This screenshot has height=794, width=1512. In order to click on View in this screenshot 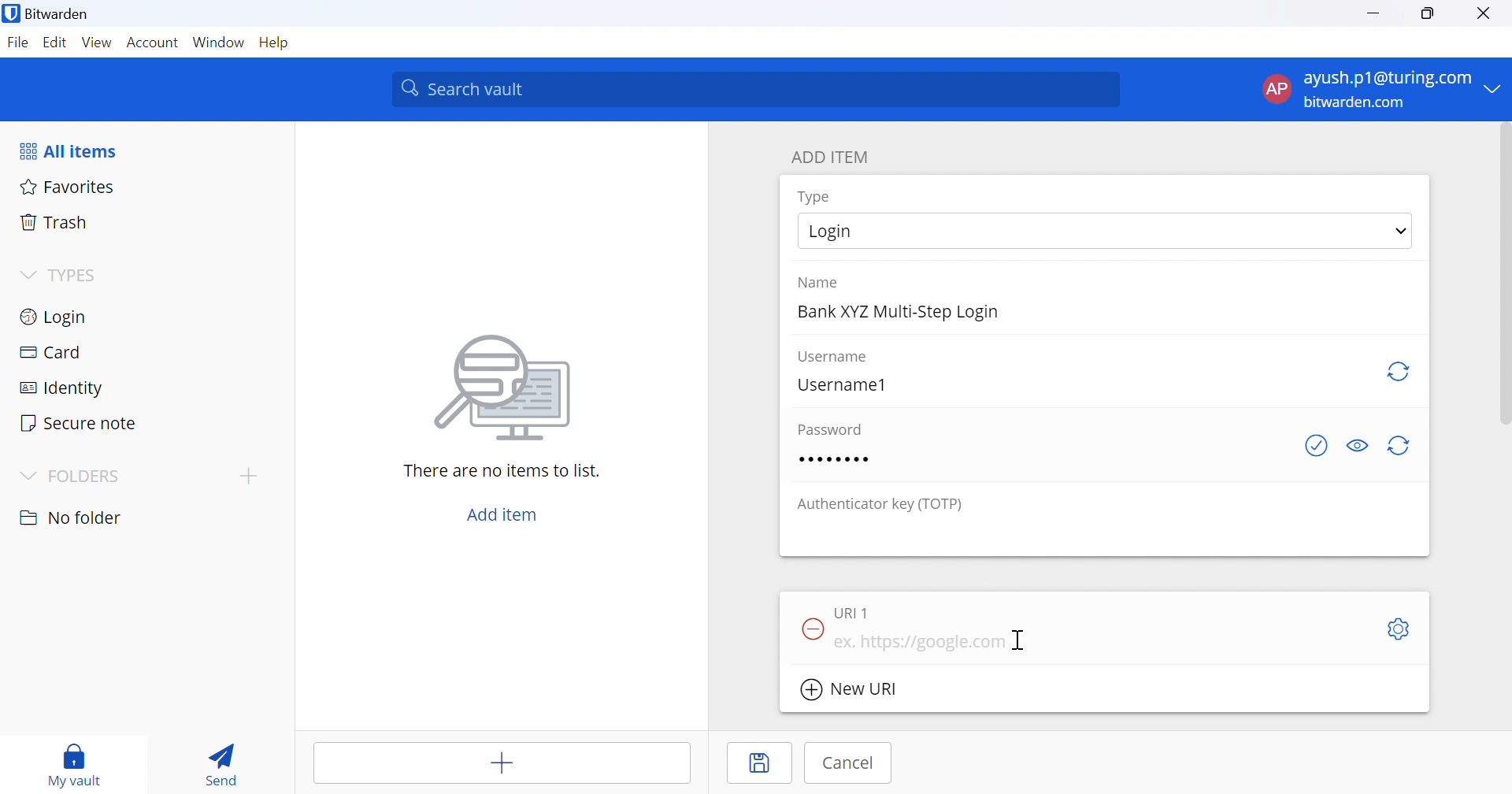, I will do `click(96, 42)`.